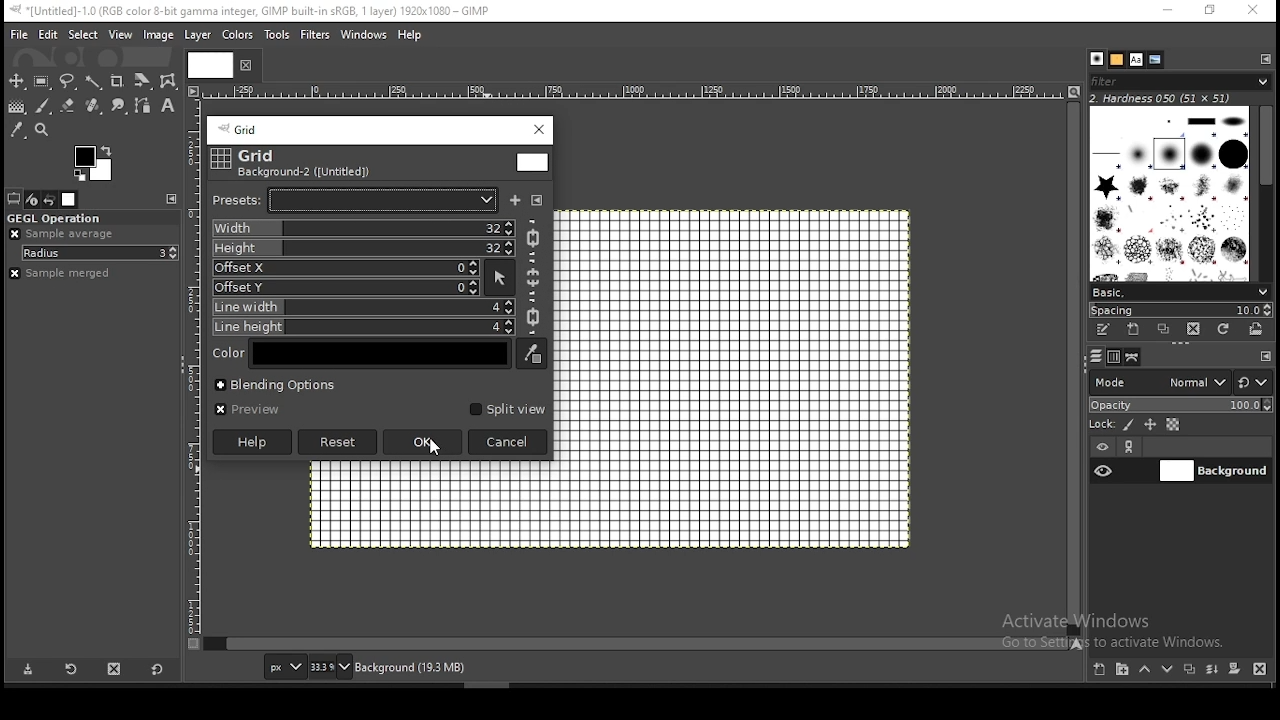 This screenshot has width=1280, height=720. What do you see at coordinates (1136, 59) in the screenshot?
I see `fonts` at bounding box center [1136, 59].